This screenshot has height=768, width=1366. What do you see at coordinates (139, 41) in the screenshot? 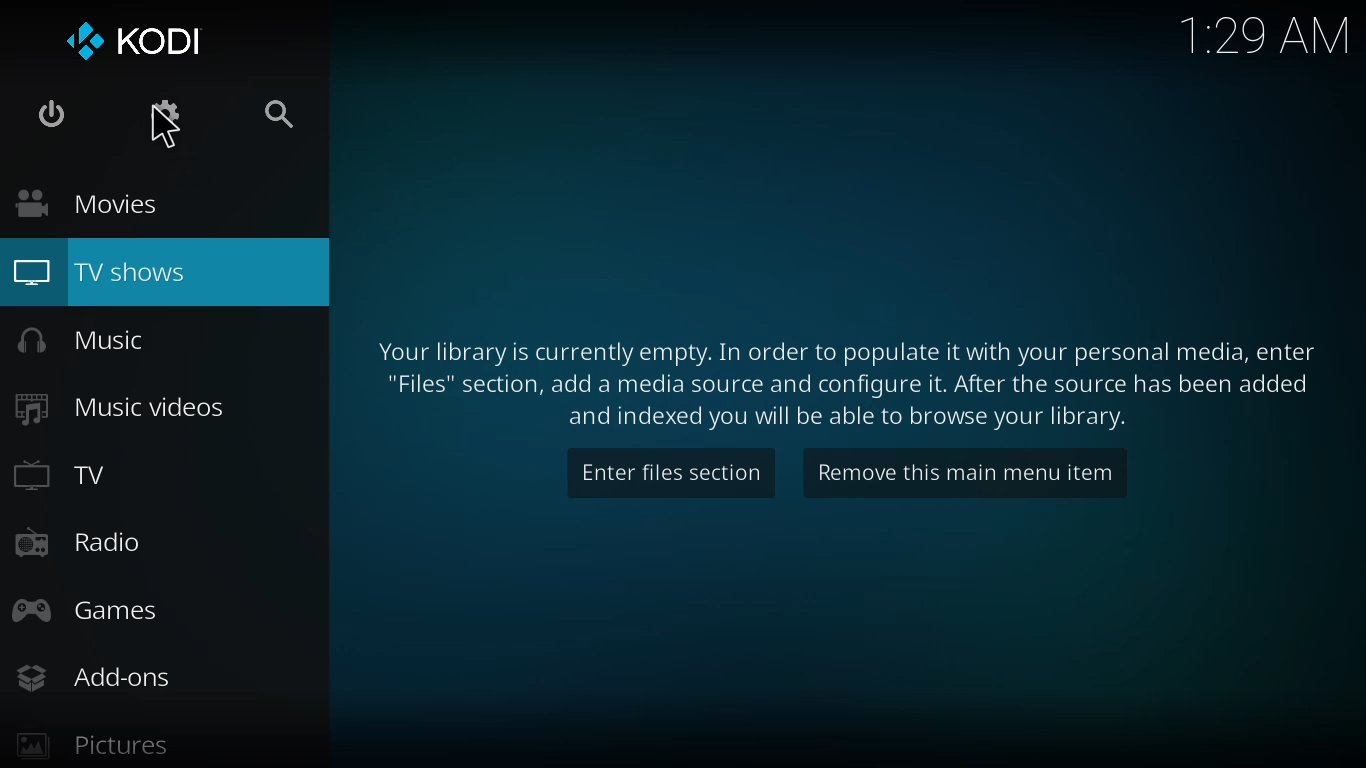
I see `kodi` at bounding box center [139, 41].